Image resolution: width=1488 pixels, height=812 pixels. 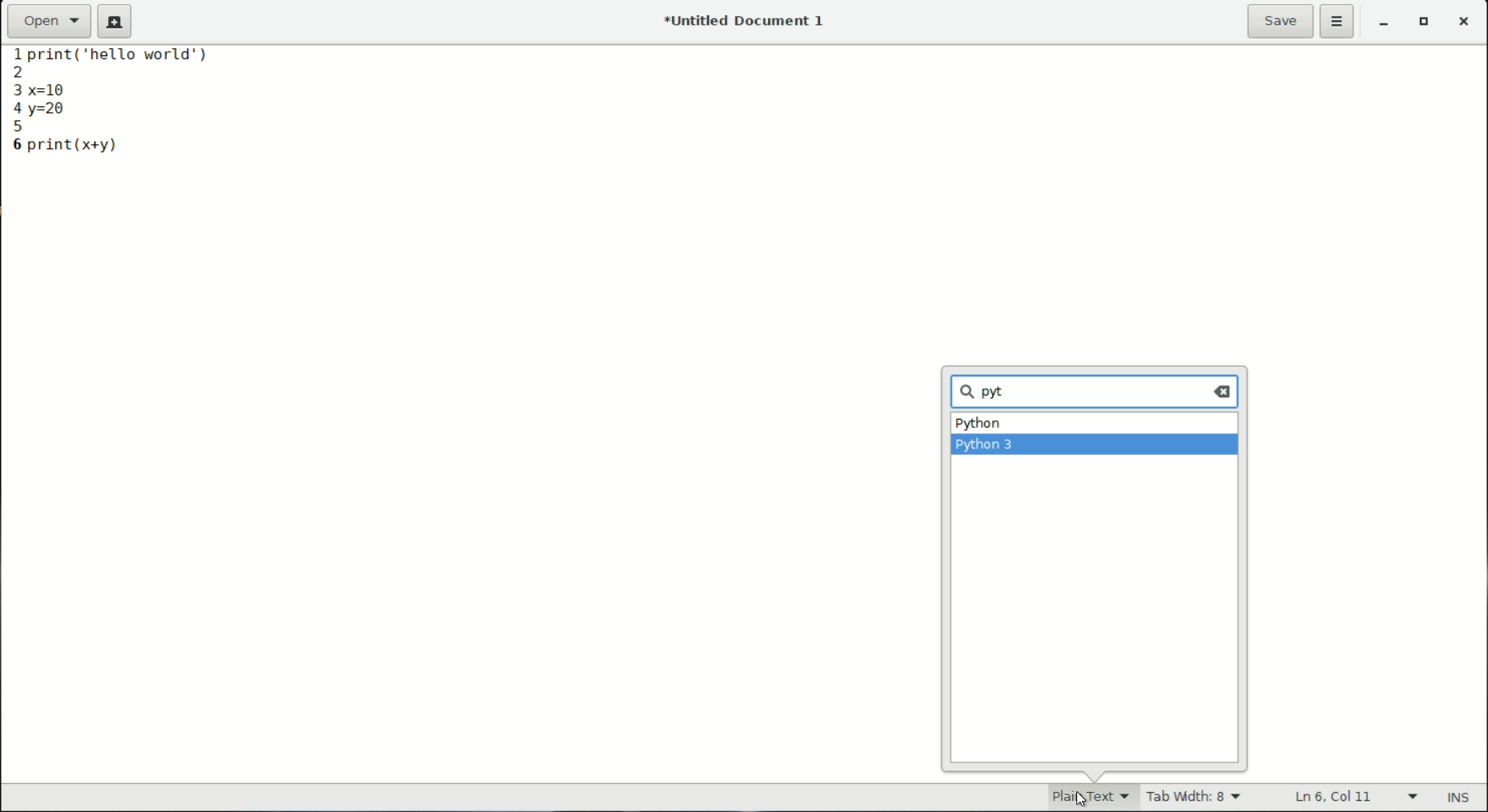 What do you see at coordinates (131, 60) in the screenshot?
I see `text` at bounding box center [131, 60].